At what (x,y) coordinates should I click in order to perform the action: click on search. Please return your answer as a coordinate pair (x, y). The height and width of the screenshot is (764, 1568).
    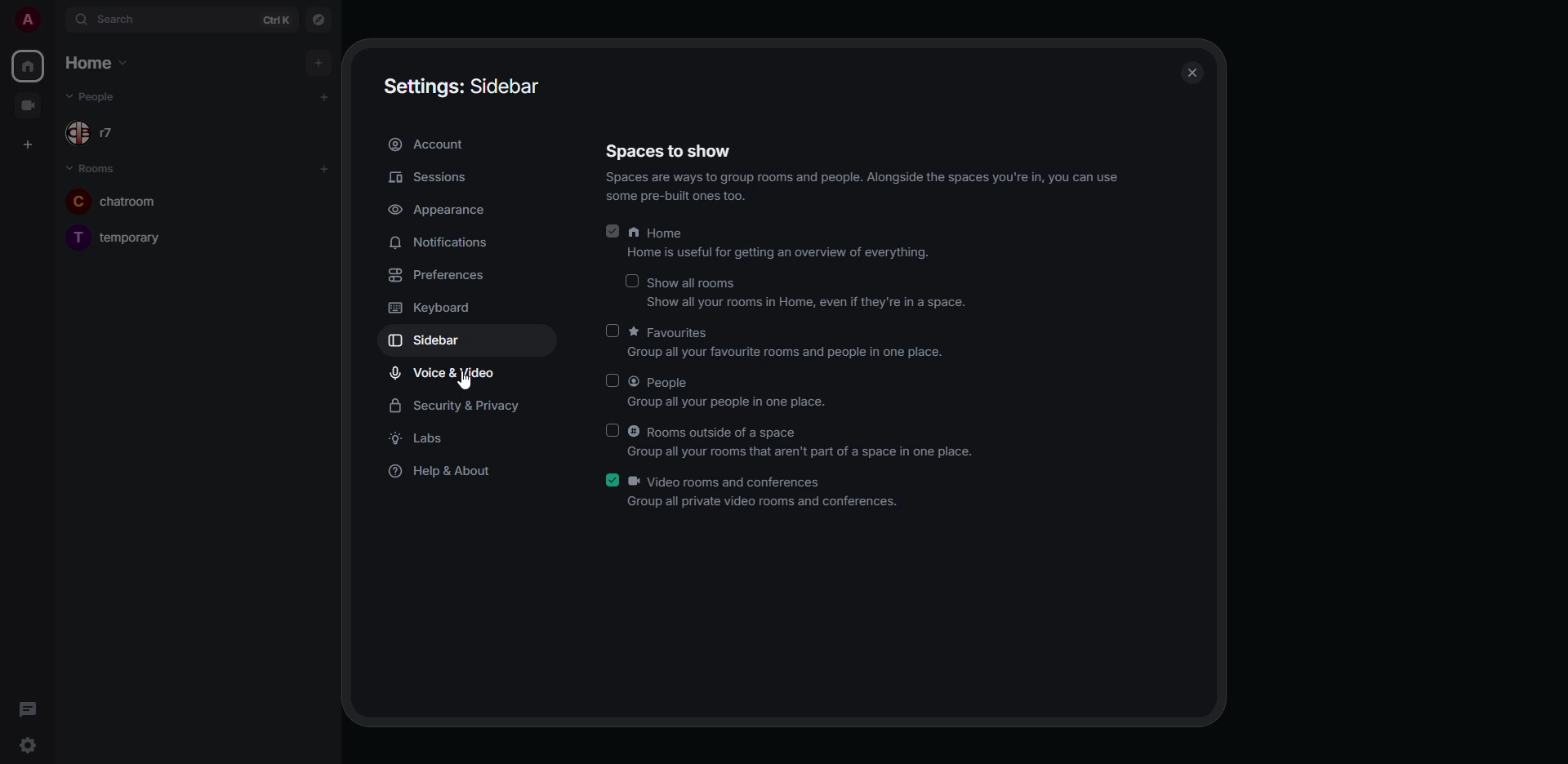
    Looking at the image, I should click on (121, 18).